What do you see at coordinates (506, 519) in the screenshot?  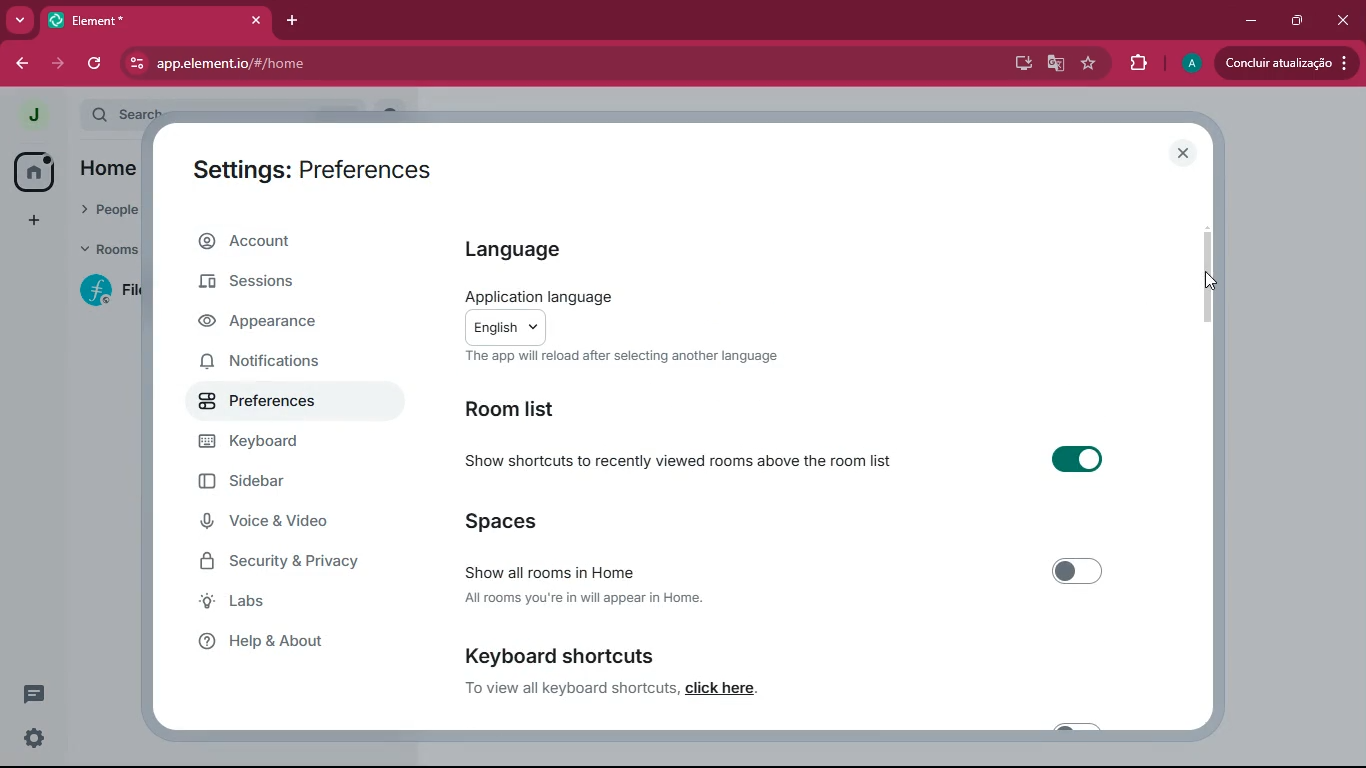 I see `spaces` at bounding box center [506, 519].